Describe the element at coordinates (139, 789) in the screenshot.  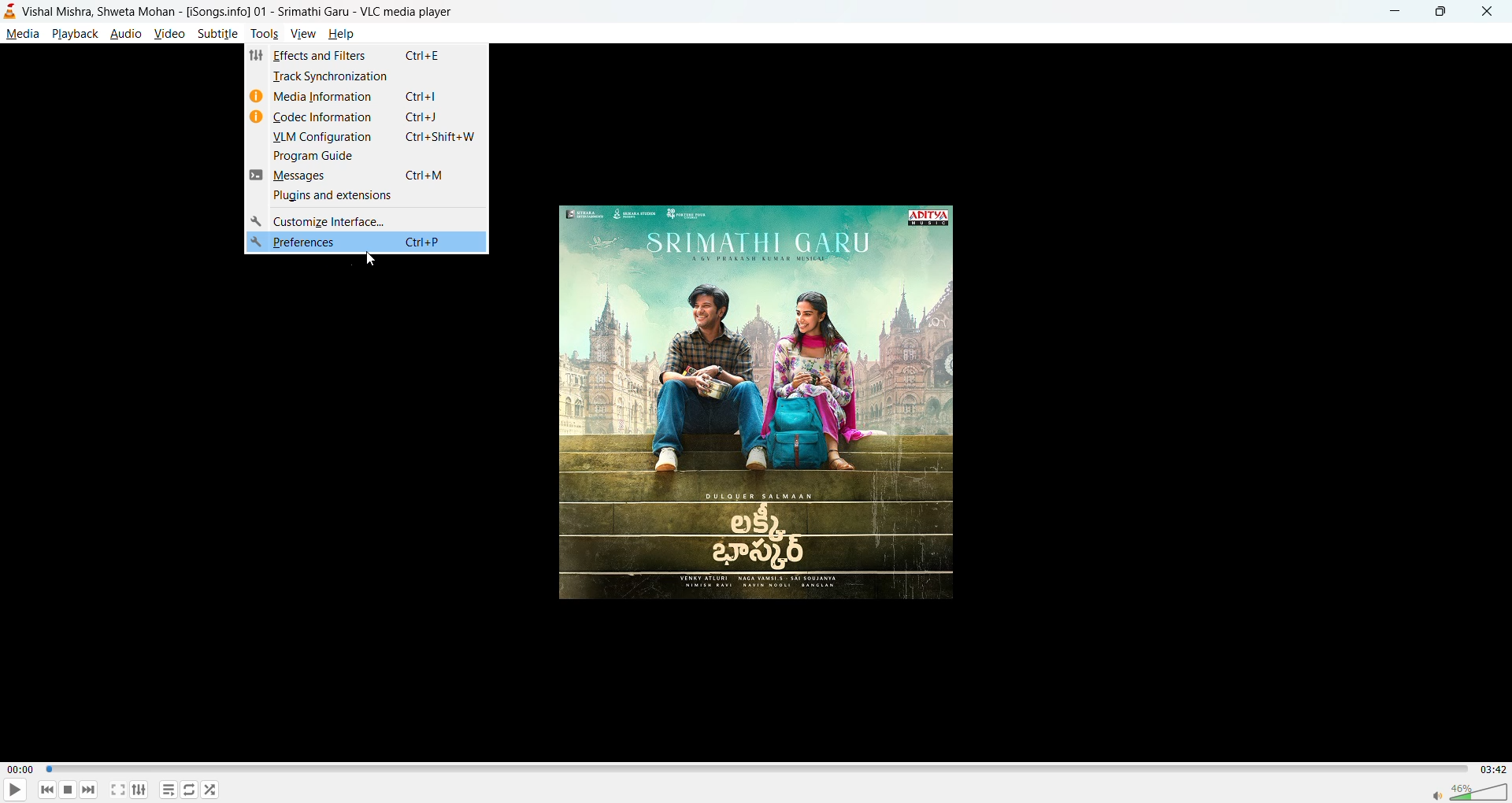
I see `settings` at that location.